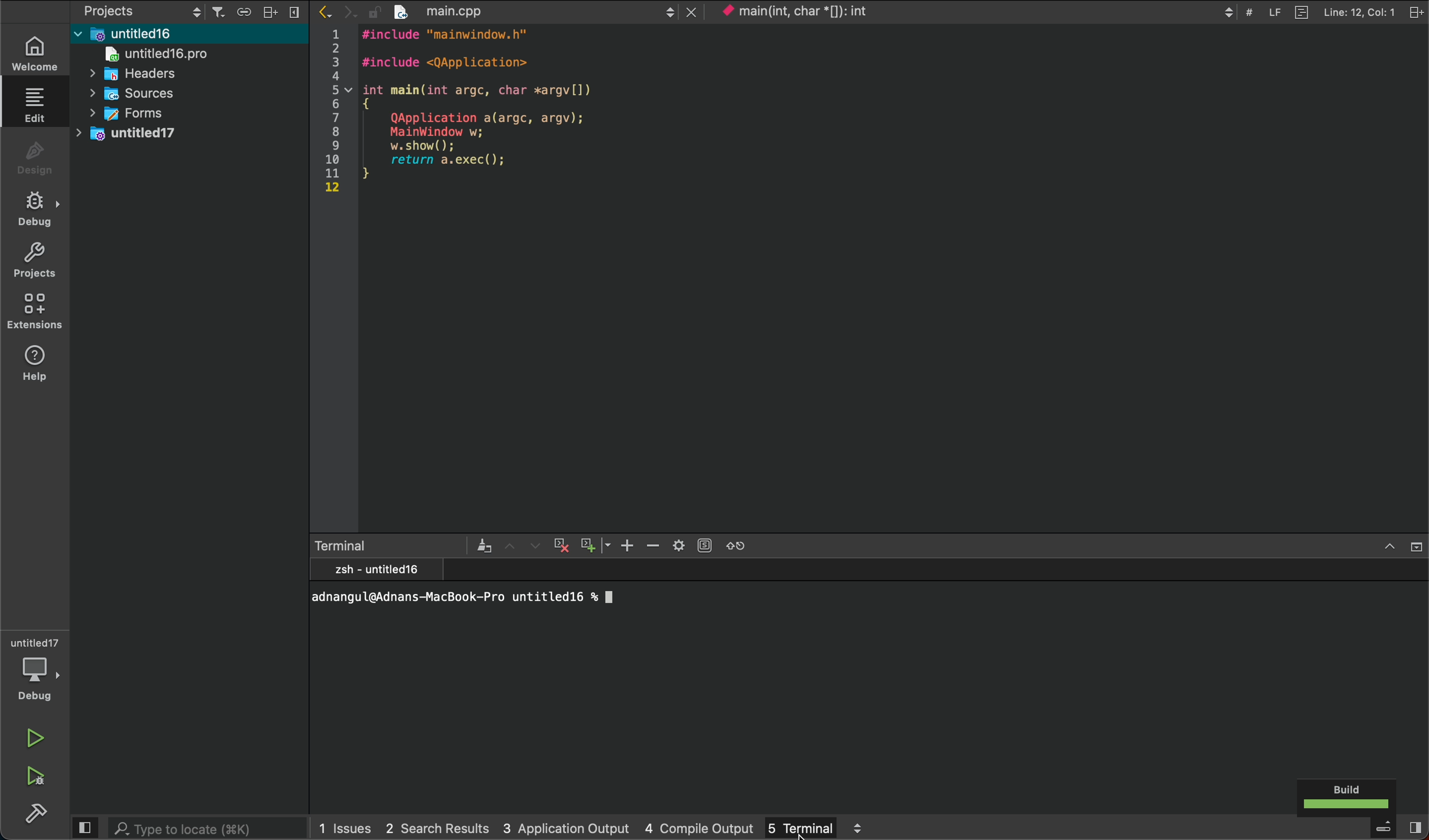  What do you see at coordinates (32, 366) in the screenshot?
I see `help` at bounding box center [32, 366].